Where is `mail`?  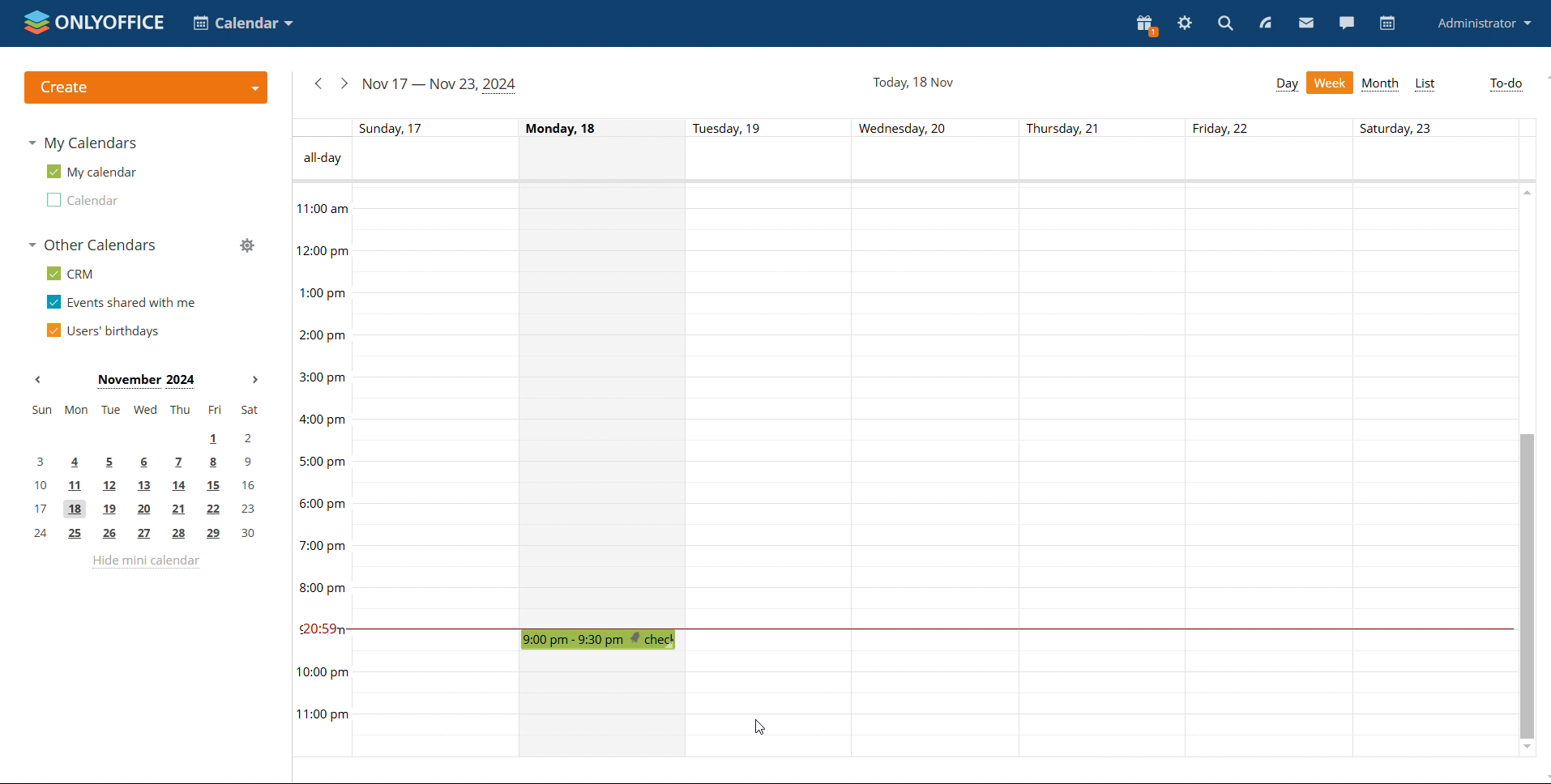 mail is located at coordinates (1307, 23).